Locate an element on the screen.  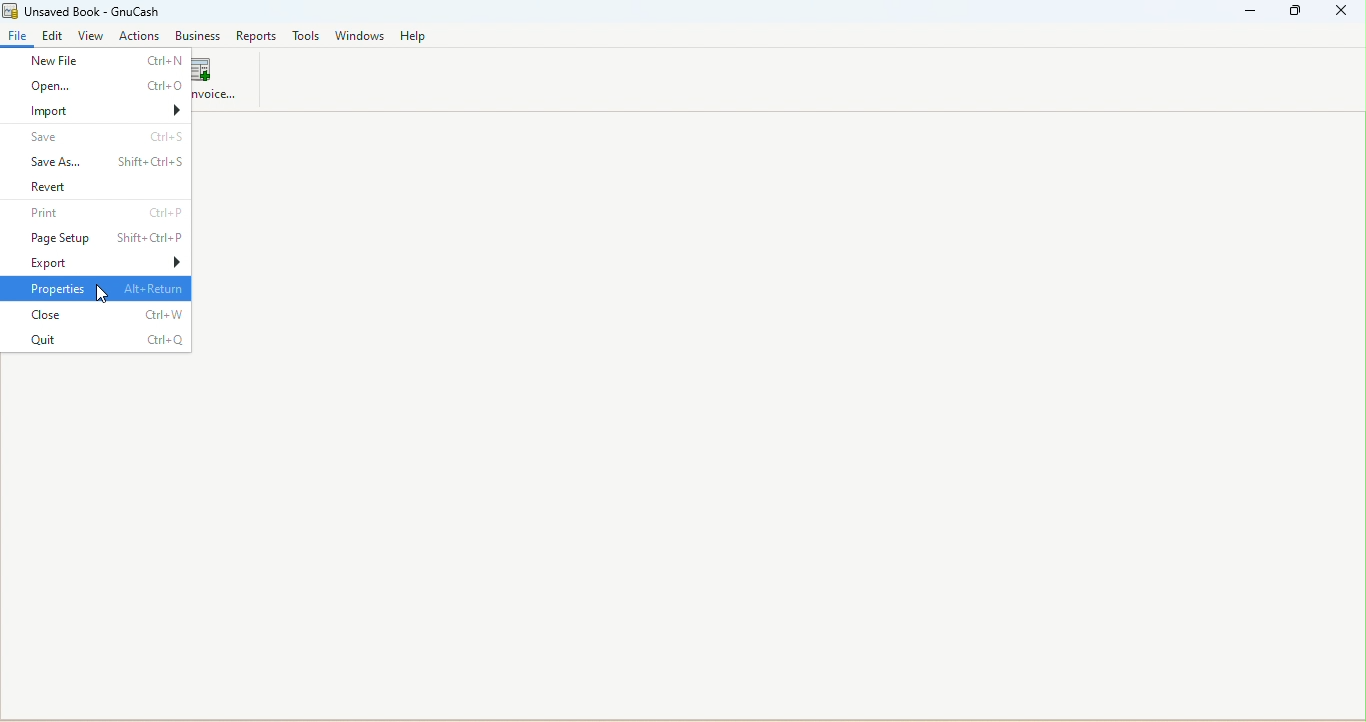
Help is located at coordinates (415, 37).